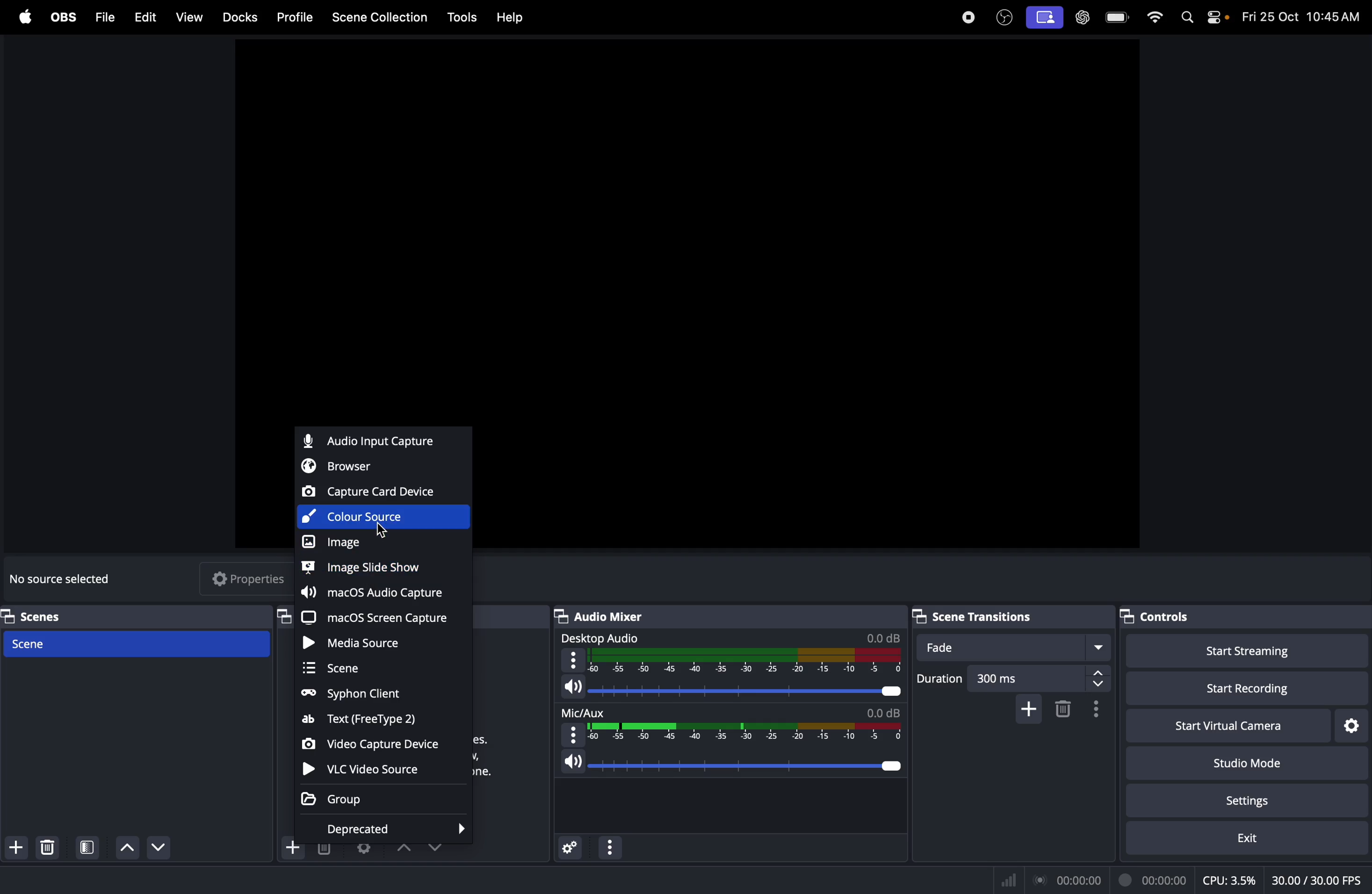  Describe the element at coordinates (1243, 761) in the screenshot. I see `studio mode` at that location.